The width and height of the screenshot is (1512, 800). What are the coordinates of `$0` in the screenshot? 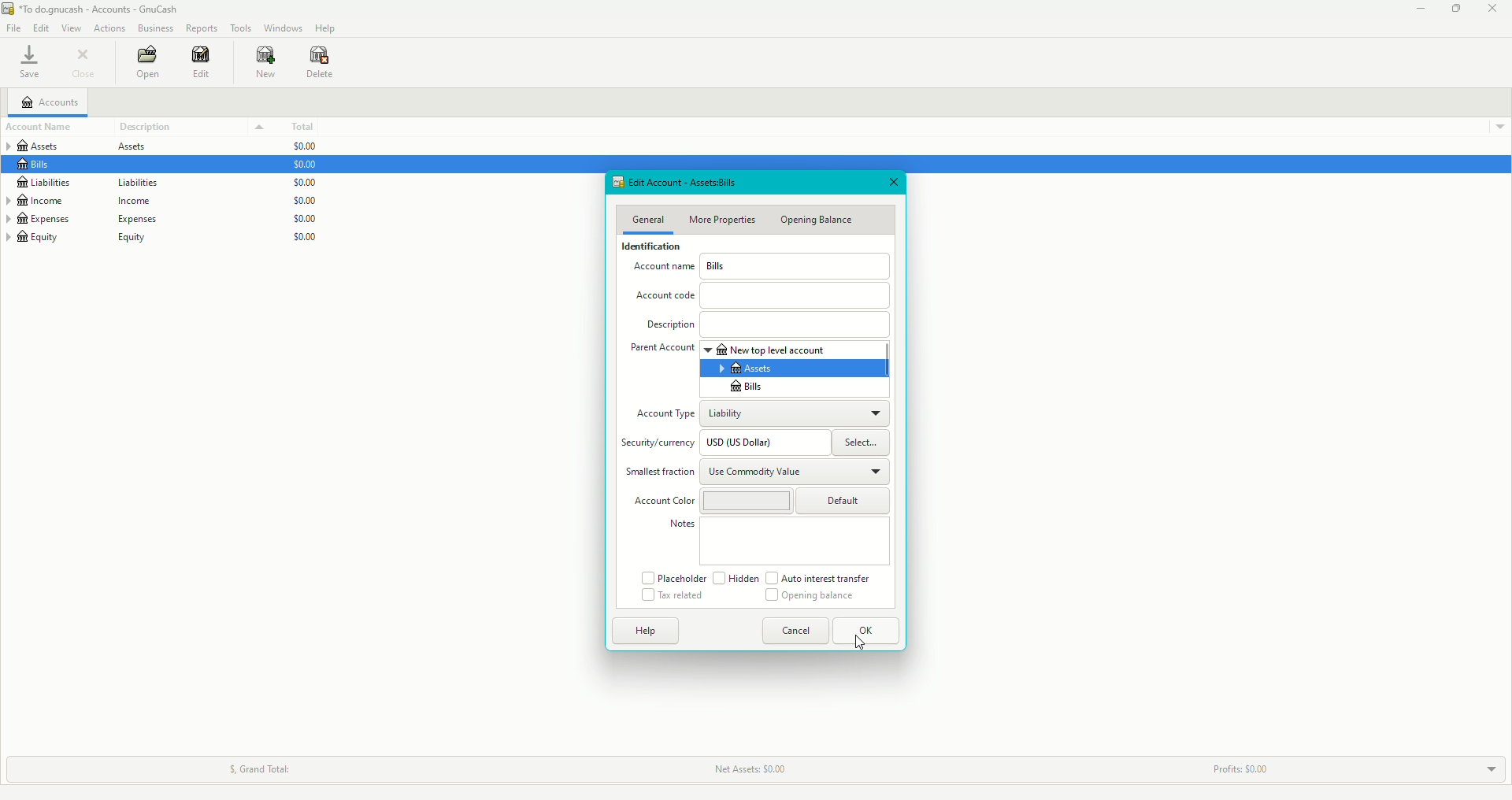 It's located at (312, 198).